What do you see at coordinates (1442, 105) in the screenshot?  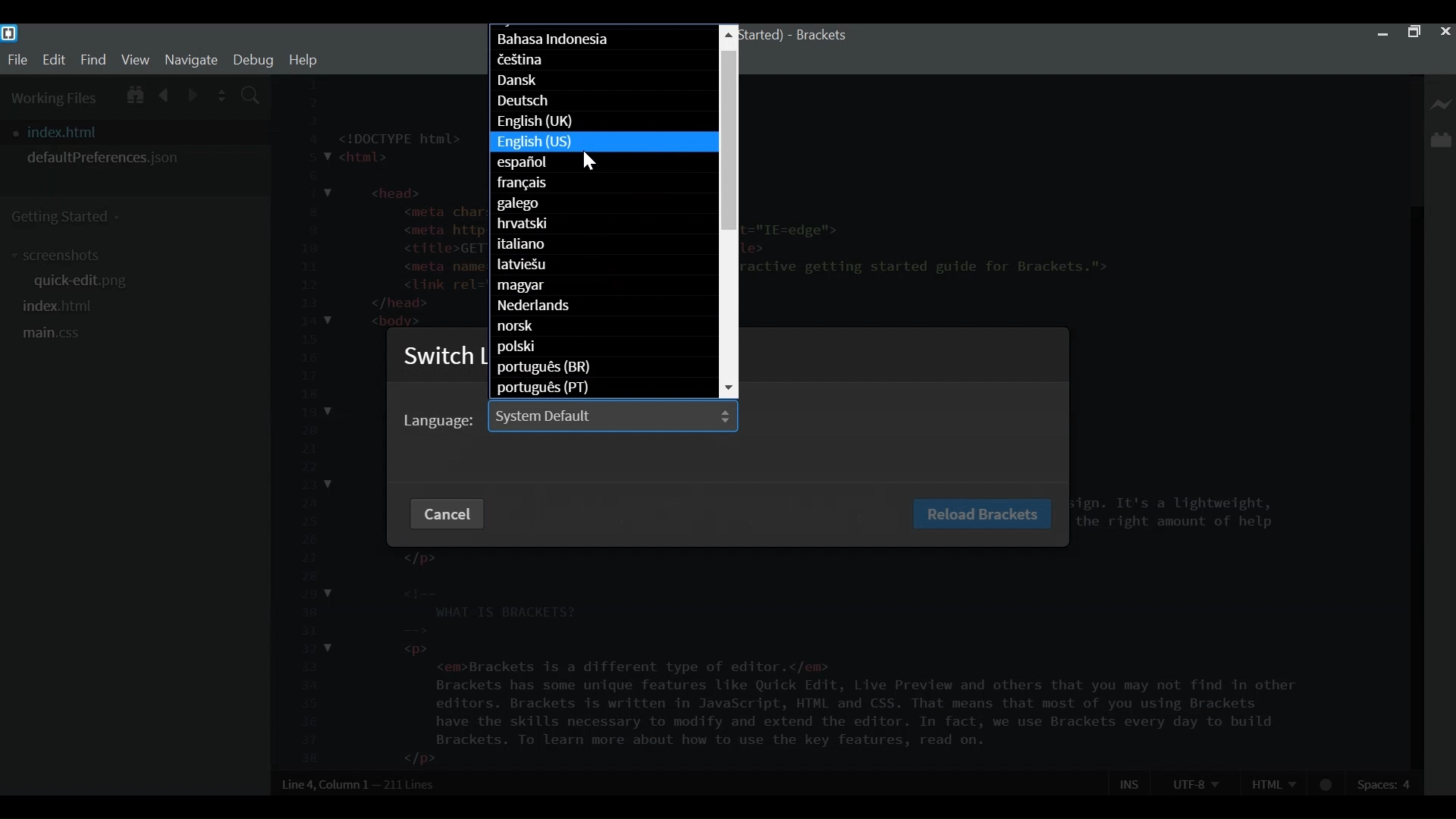 I see `Live Preview` at bounding box center [1442, 105].